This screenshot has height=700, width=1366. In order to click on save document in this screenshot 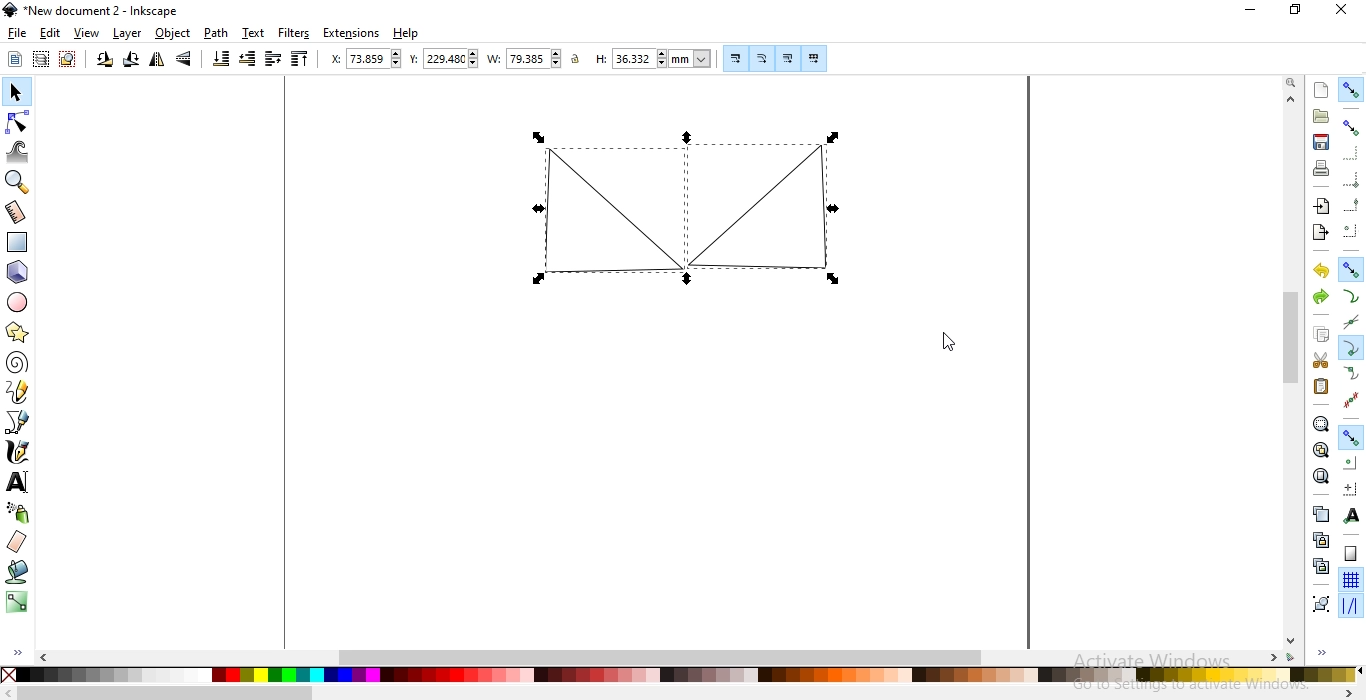, I will do `click(1321, 142)`.